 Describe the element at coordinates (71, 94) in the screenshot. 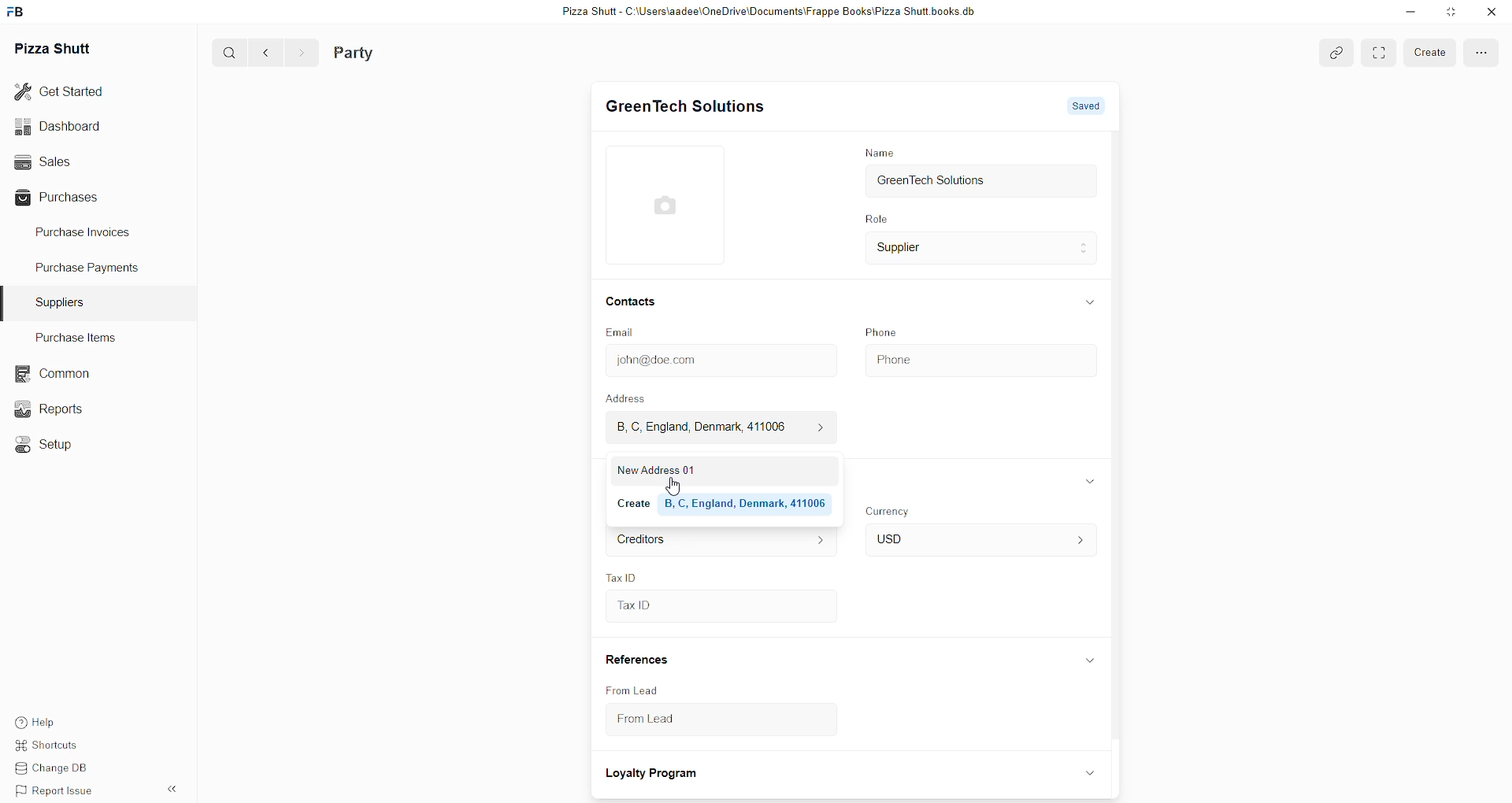

I see `Get Started` at that location.